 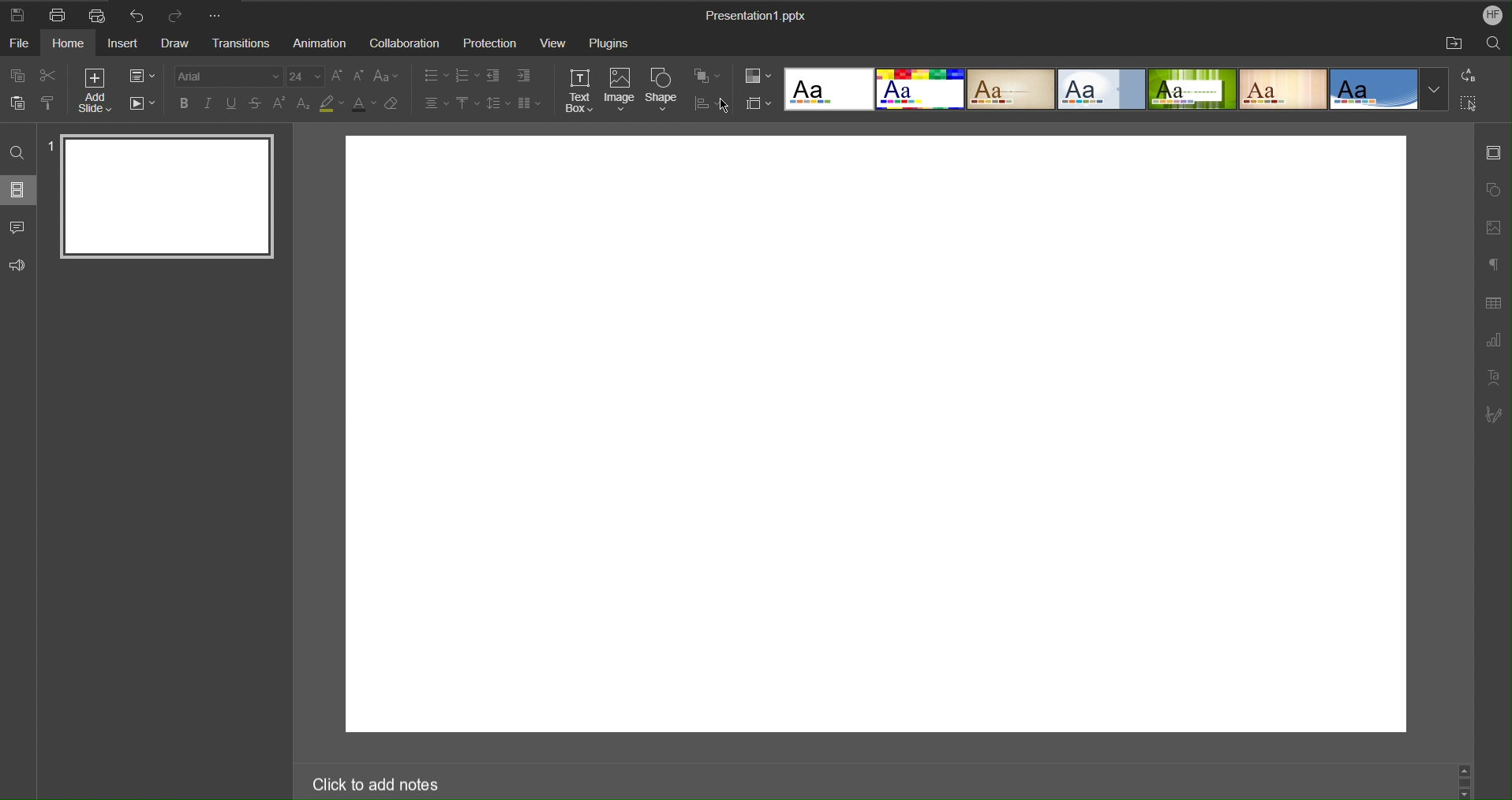 What do you see at coordinates (362, 104) in the screenshot?
I see `Text Color` at bounding box center [362, 104].